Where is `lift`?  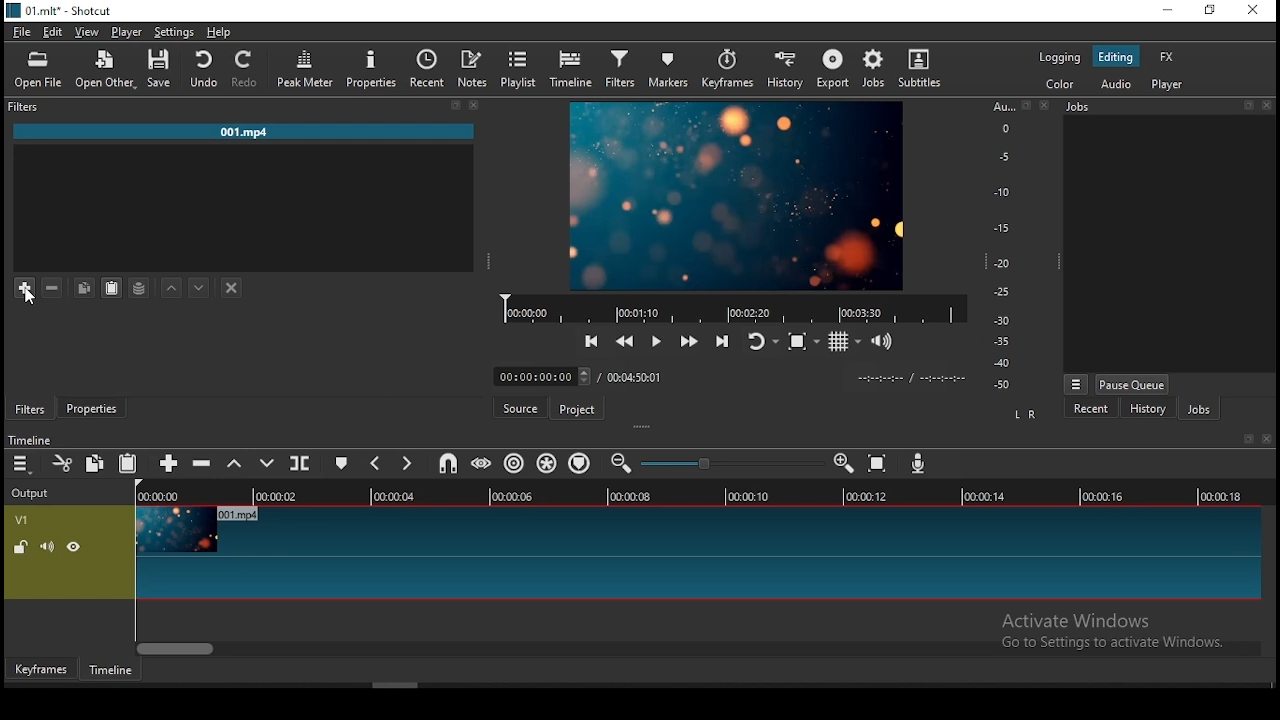 lift is located at coordinates (231, 464).